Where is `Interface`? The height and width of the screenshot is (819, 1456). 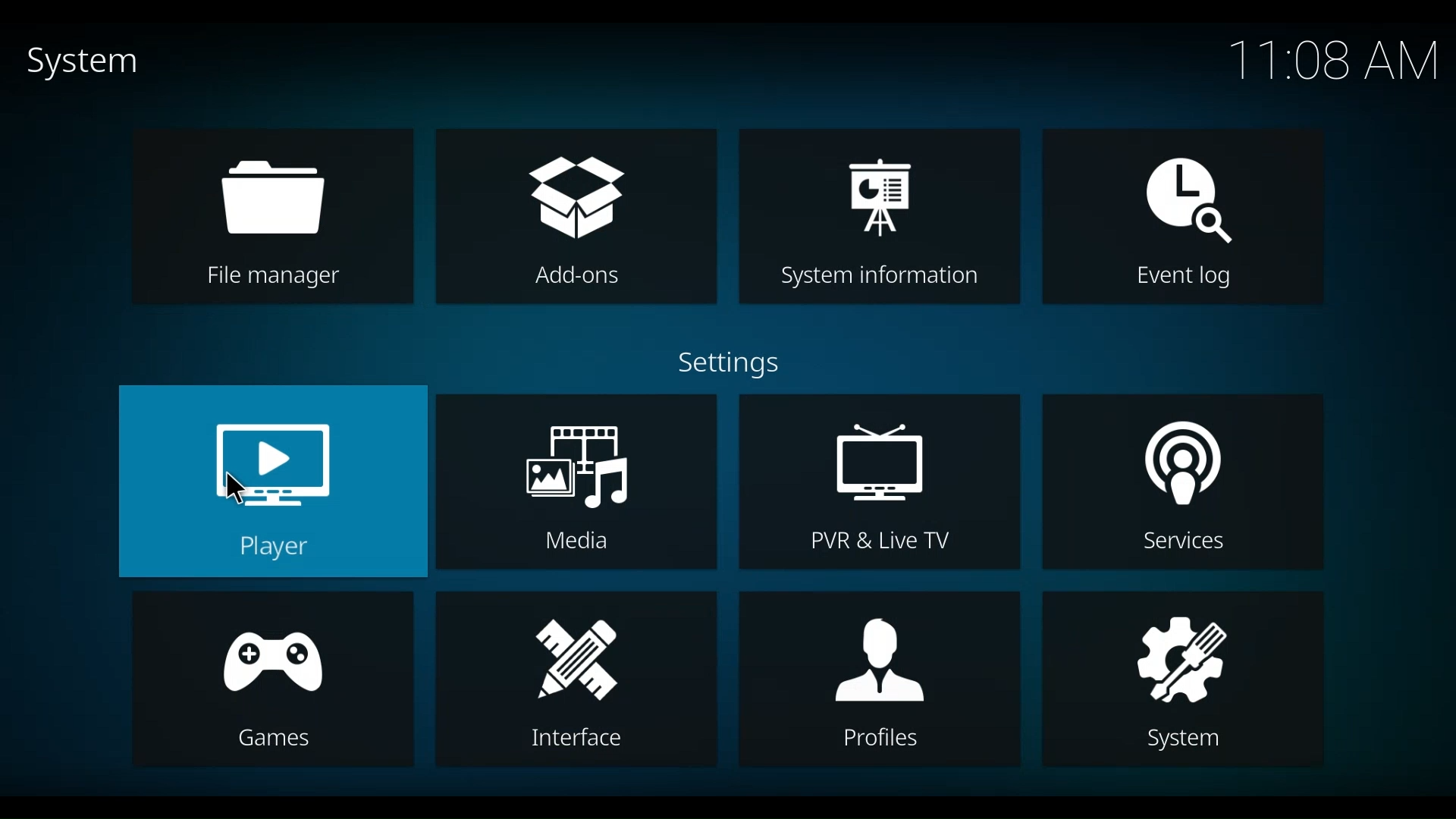
Interface is located at coordinates (577, 680).